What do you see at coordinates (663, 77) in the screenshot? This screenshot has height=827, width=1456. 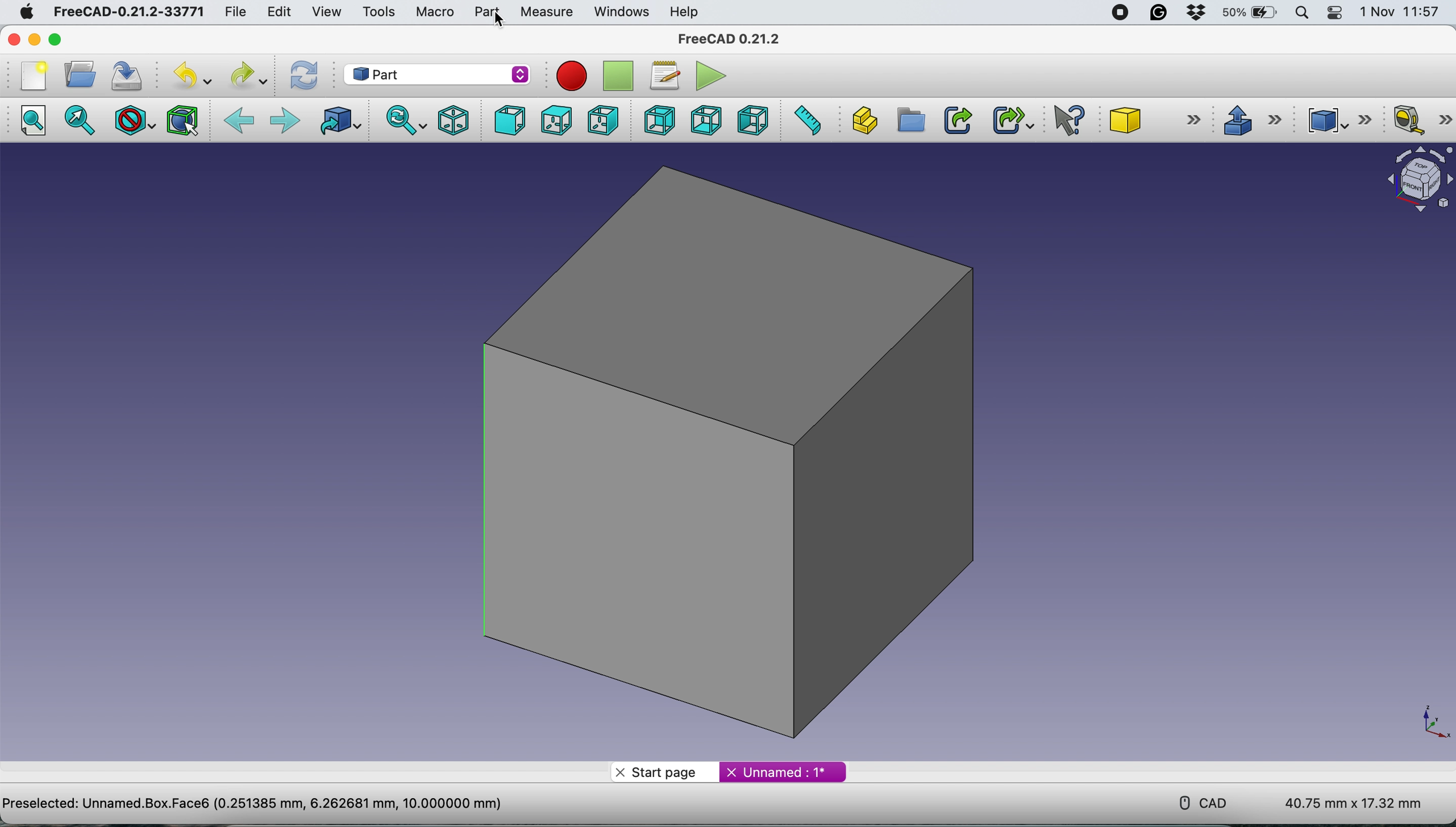 I see `macros` at bounding box center [663, 77].